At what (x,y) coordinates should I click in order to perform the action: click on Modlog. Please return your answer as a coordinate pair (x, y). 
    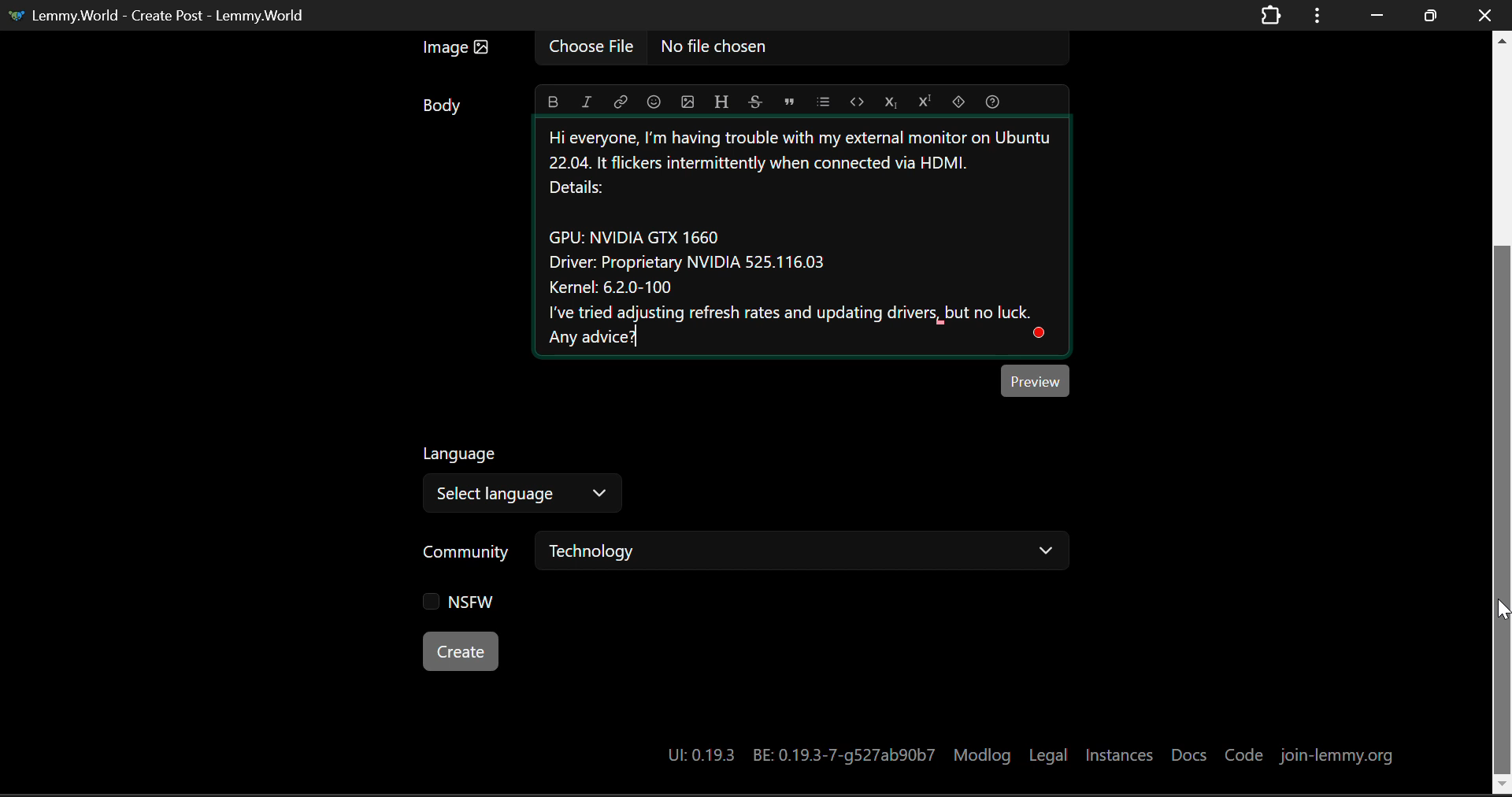
    Looking at the image, I should click on (984, 753).